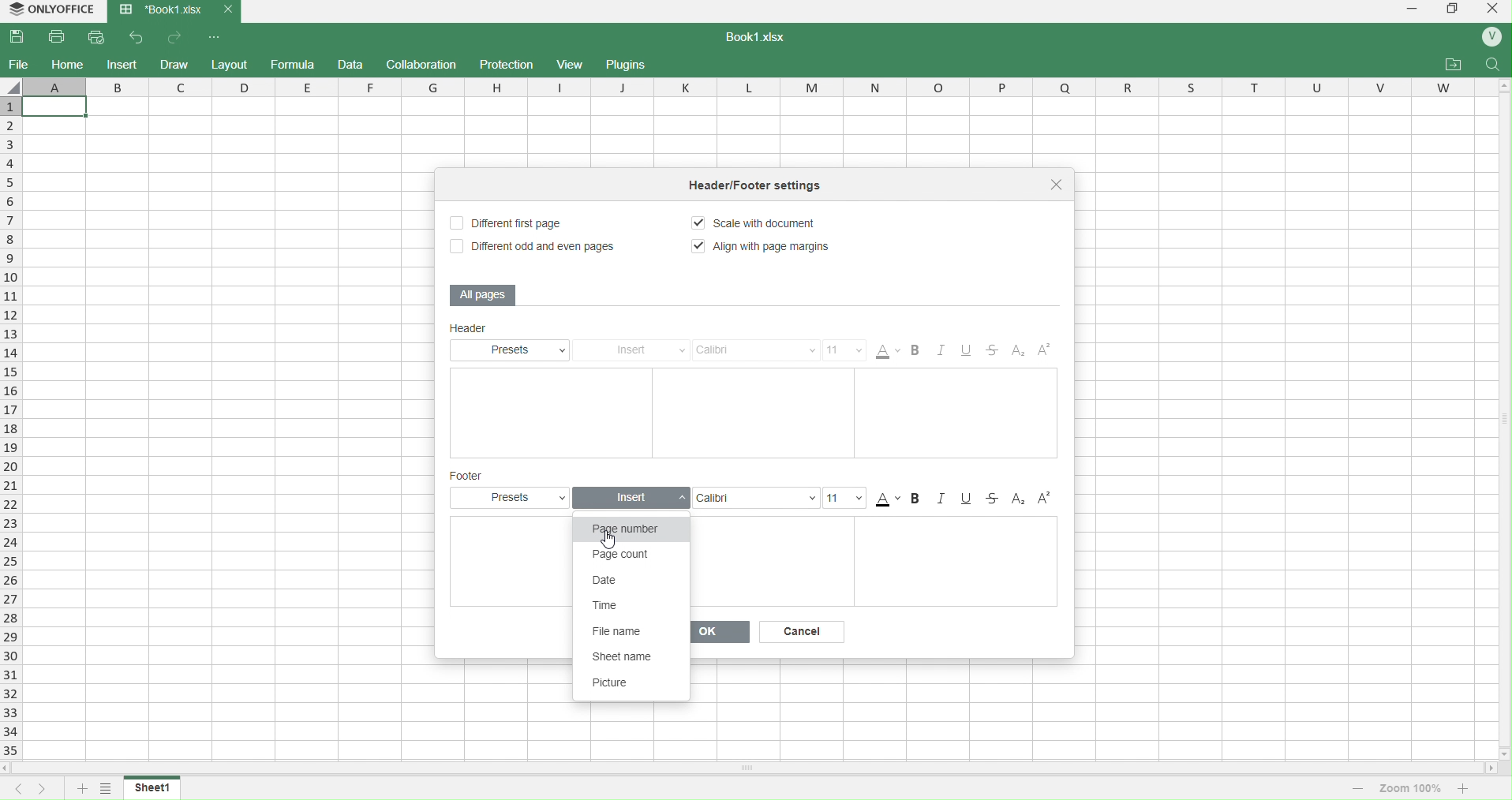  What do you see at coordinates (515, 350) in the screenshot?
I see `Presets` at bounding box center [515, 350].